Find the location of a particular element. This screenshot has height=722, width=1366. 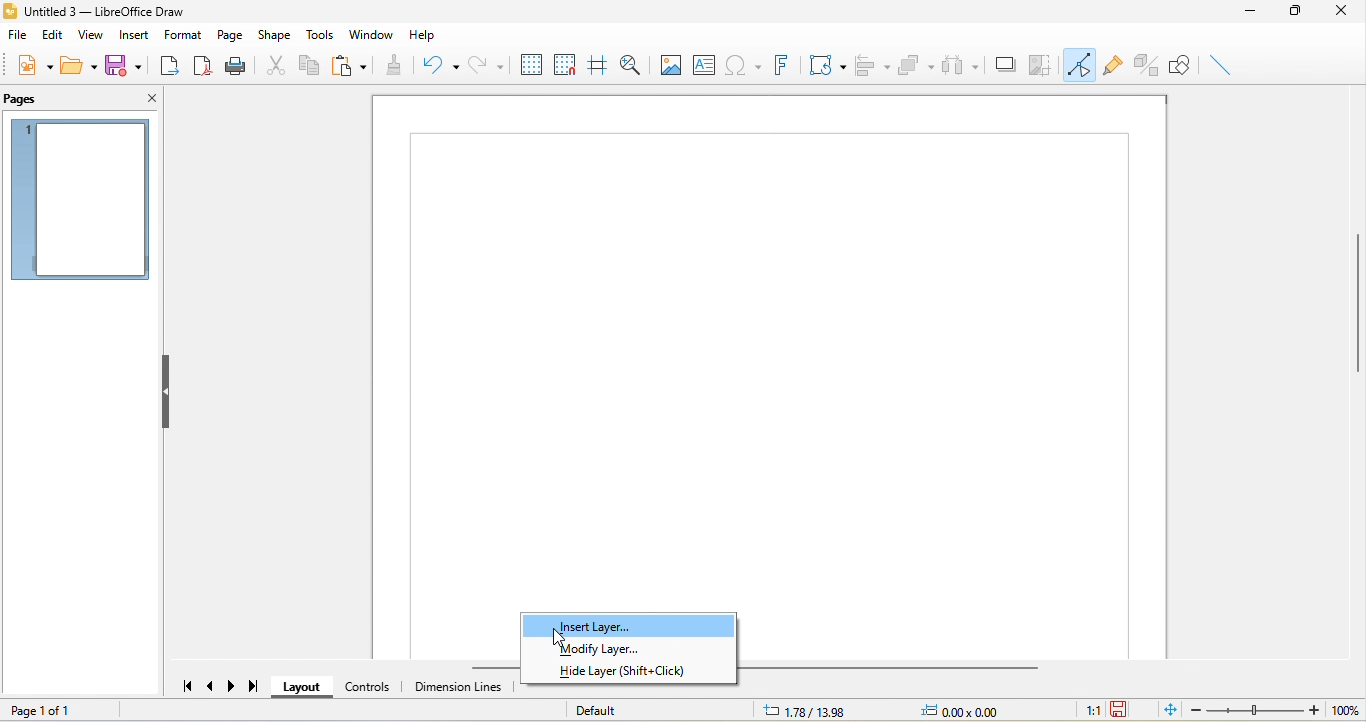

arrange is located at coordinates (917, 64).